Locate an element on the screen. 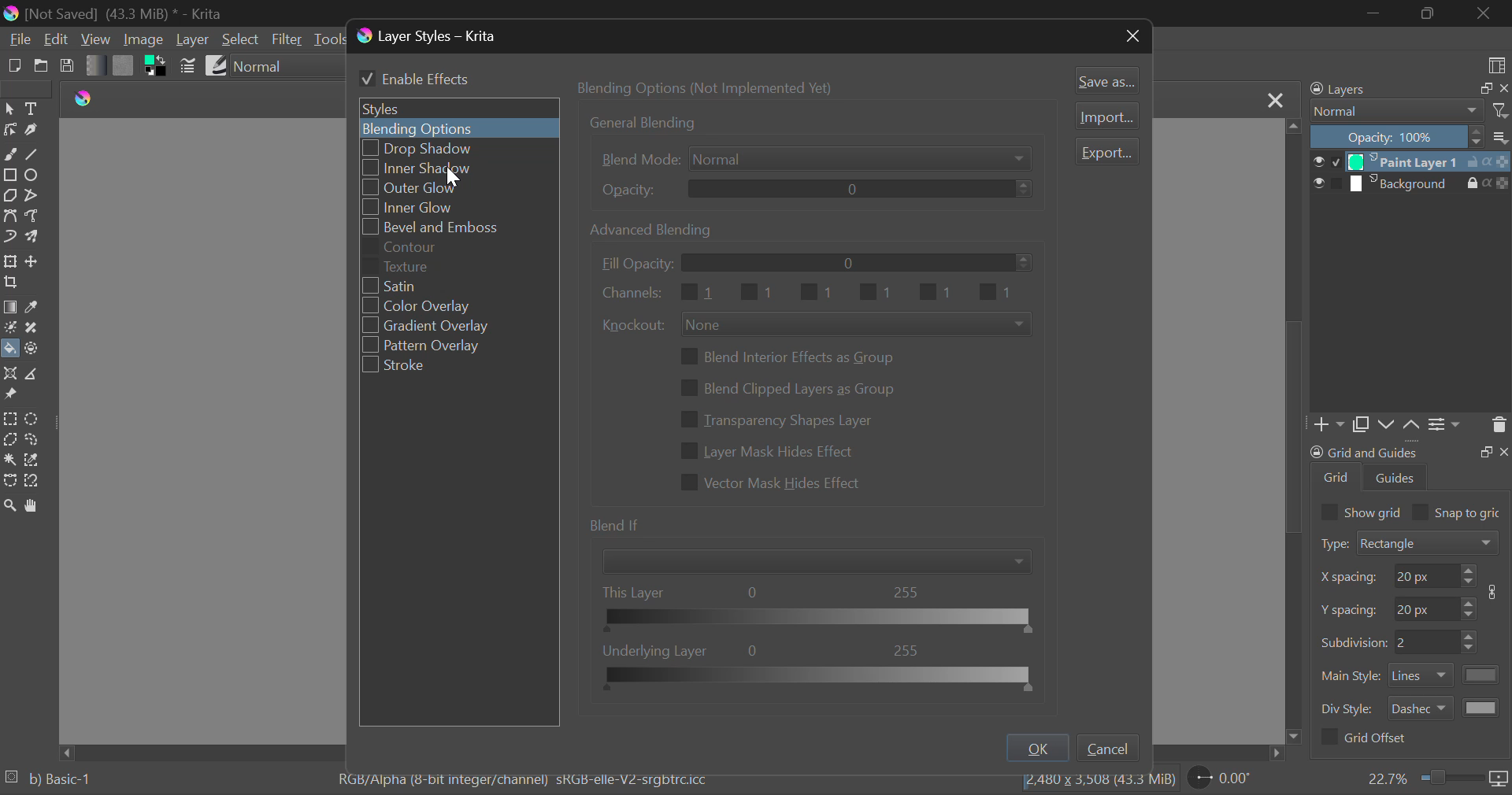 This screenshot has width=1512, height=795. Copy Layers is located at coordinates (1362, 425).